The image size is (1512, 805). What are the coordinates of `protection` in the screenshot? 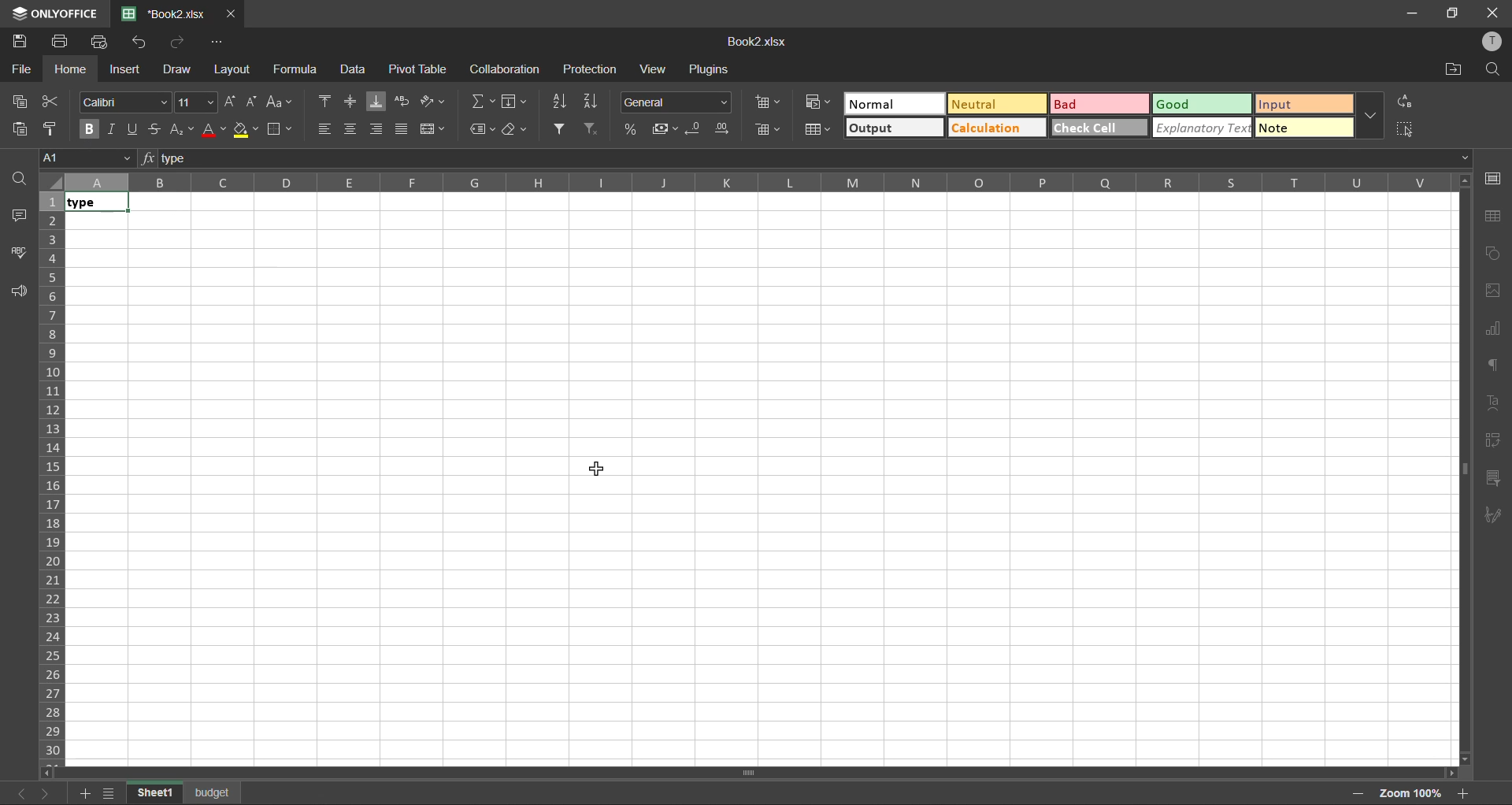 It's located at (592, 70).